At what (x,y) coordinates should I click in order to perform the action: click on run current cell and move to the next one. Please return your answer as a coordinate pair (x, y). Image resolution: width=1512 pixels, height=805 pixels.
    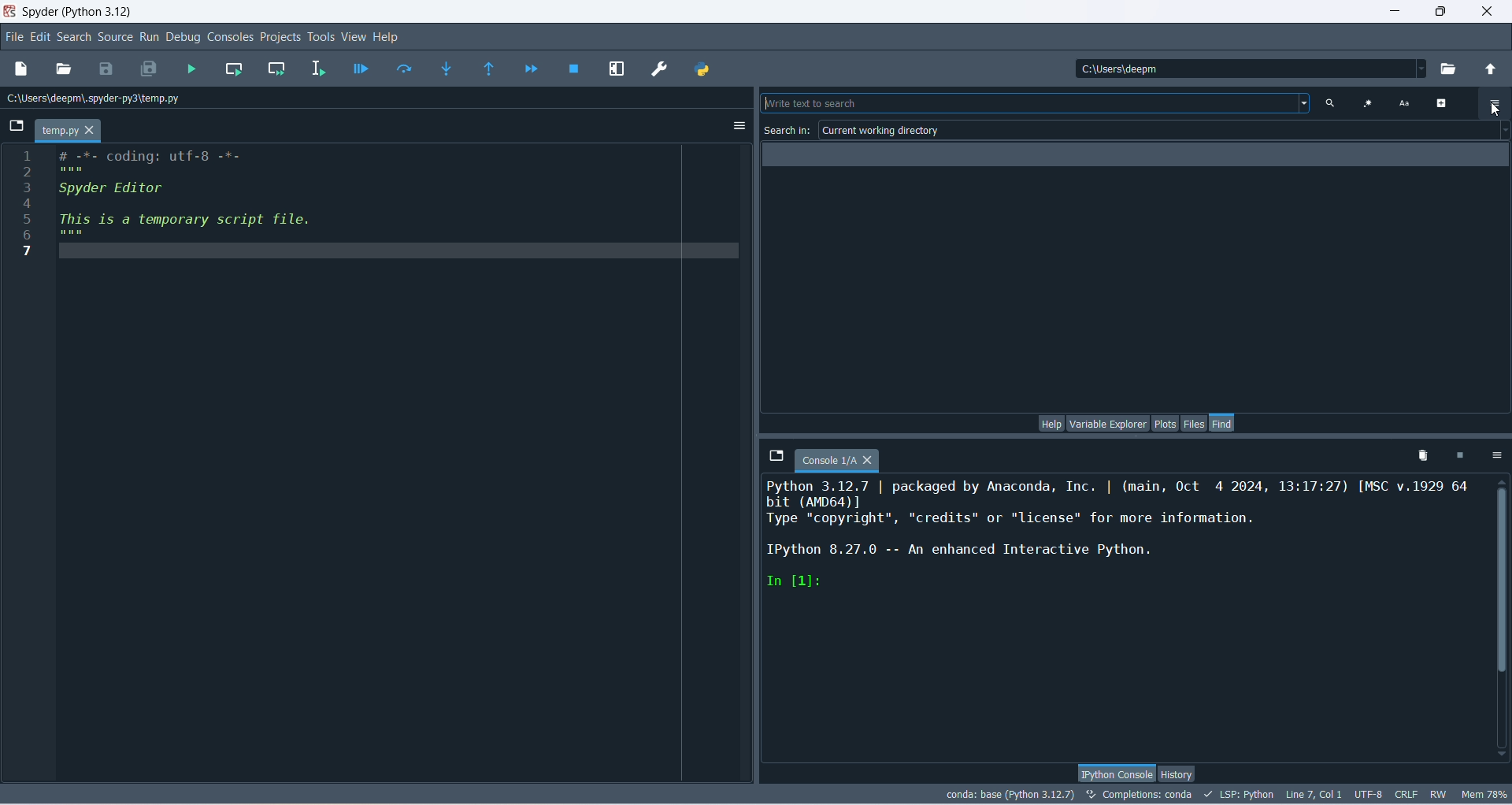
    Looking at the image, I should click on (276, 68).